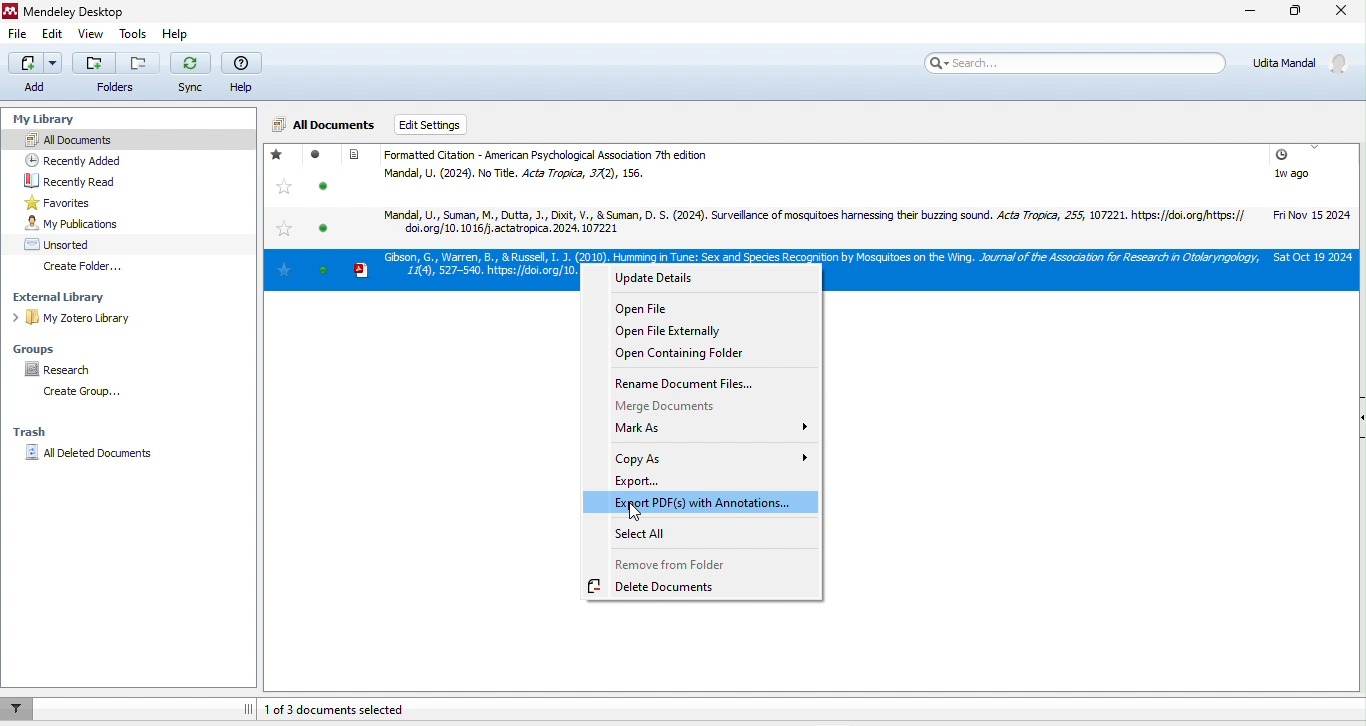  Describe the element at coordinates (94, 33) in the screenshot. I see `view` at that location.